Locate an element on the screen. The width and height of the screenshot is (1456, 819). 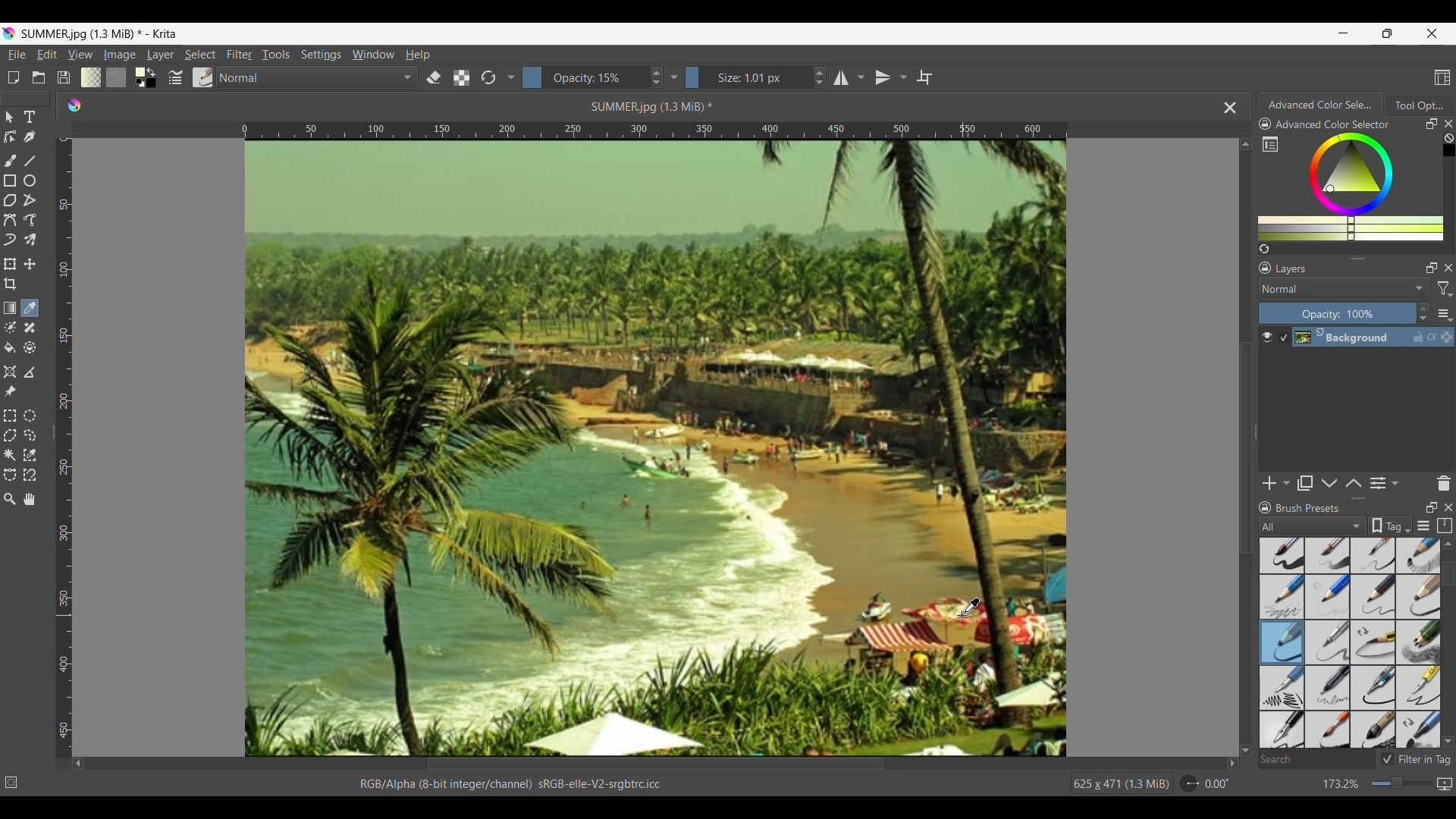
Vertical scale is located at coordinates (67, 444).